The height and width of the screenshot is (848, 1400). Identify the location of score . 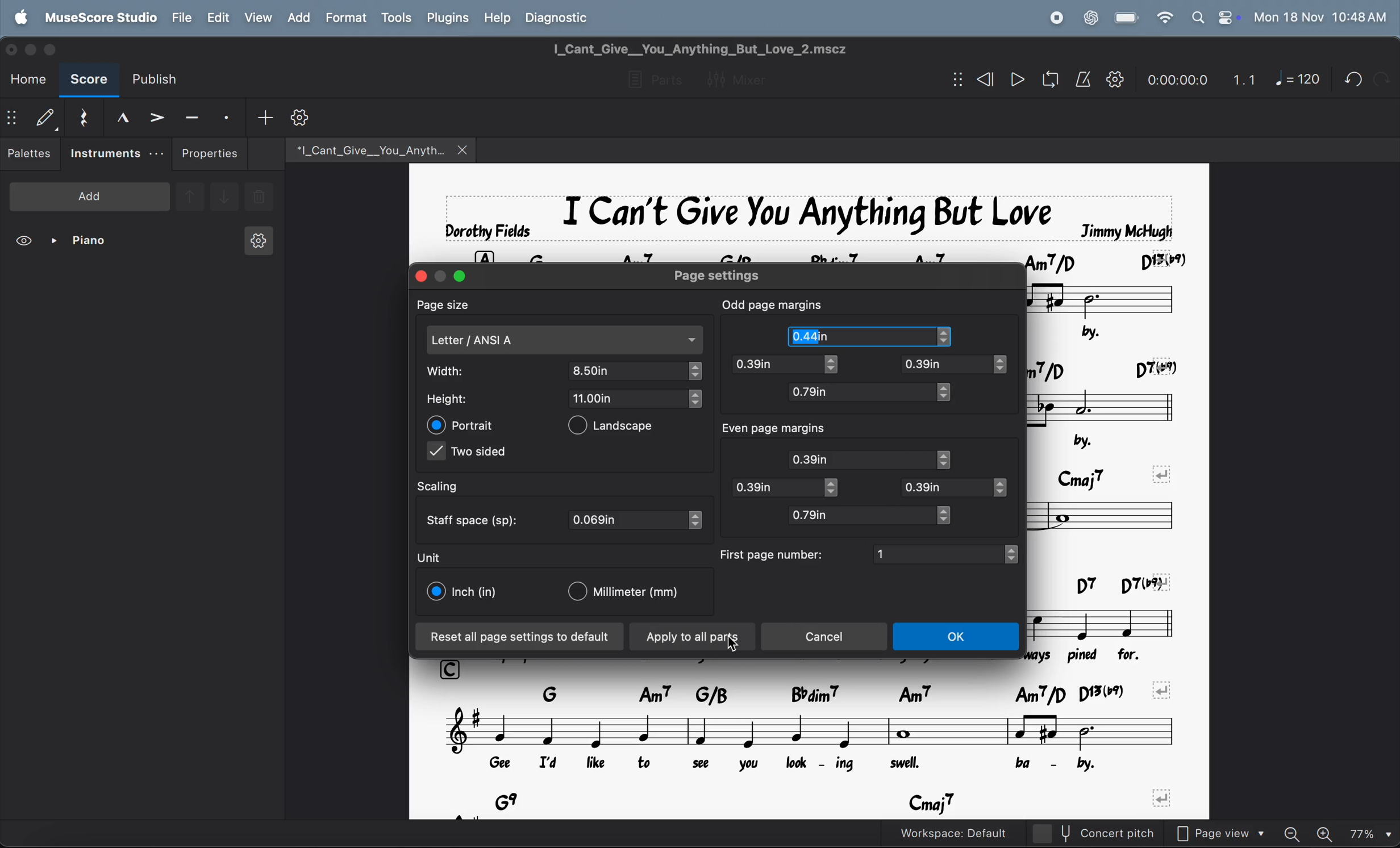
(89, 81).